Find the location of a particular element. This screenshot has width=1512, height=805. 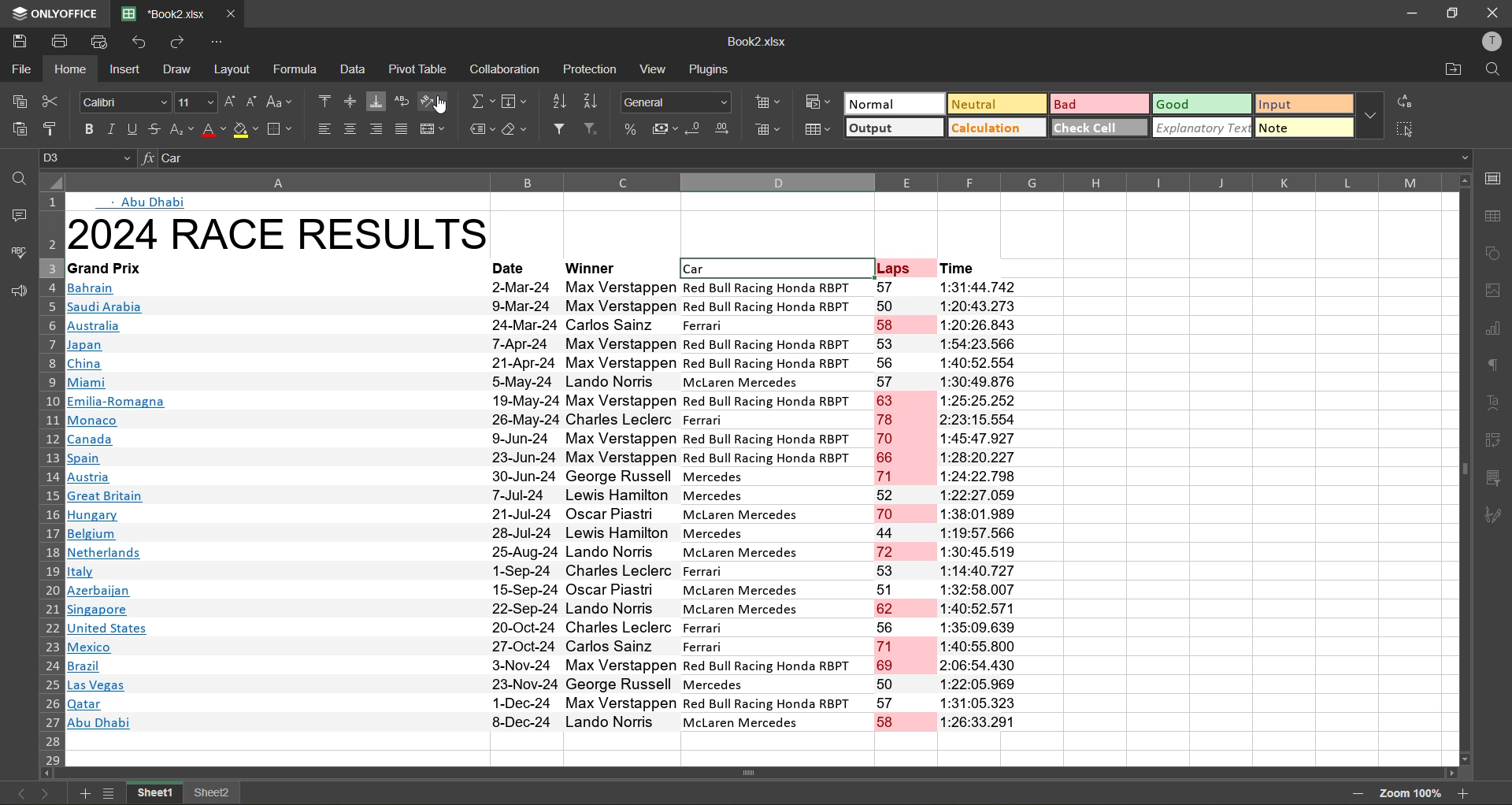

shapes is located at coordinates (1498, 252).